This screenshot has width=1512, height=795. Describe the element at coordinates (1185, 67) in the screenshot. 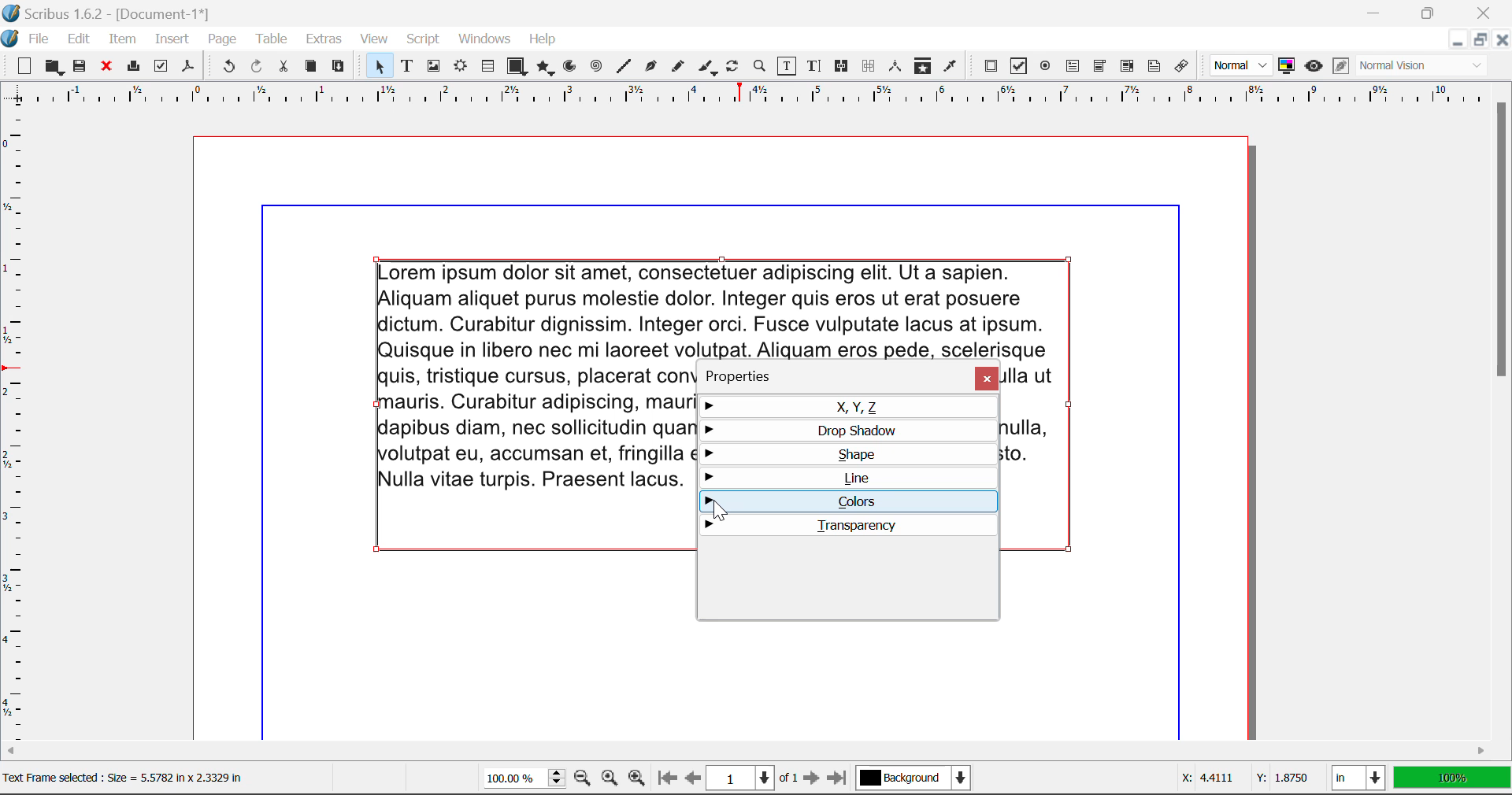

I see `Link Annotation` at that location.